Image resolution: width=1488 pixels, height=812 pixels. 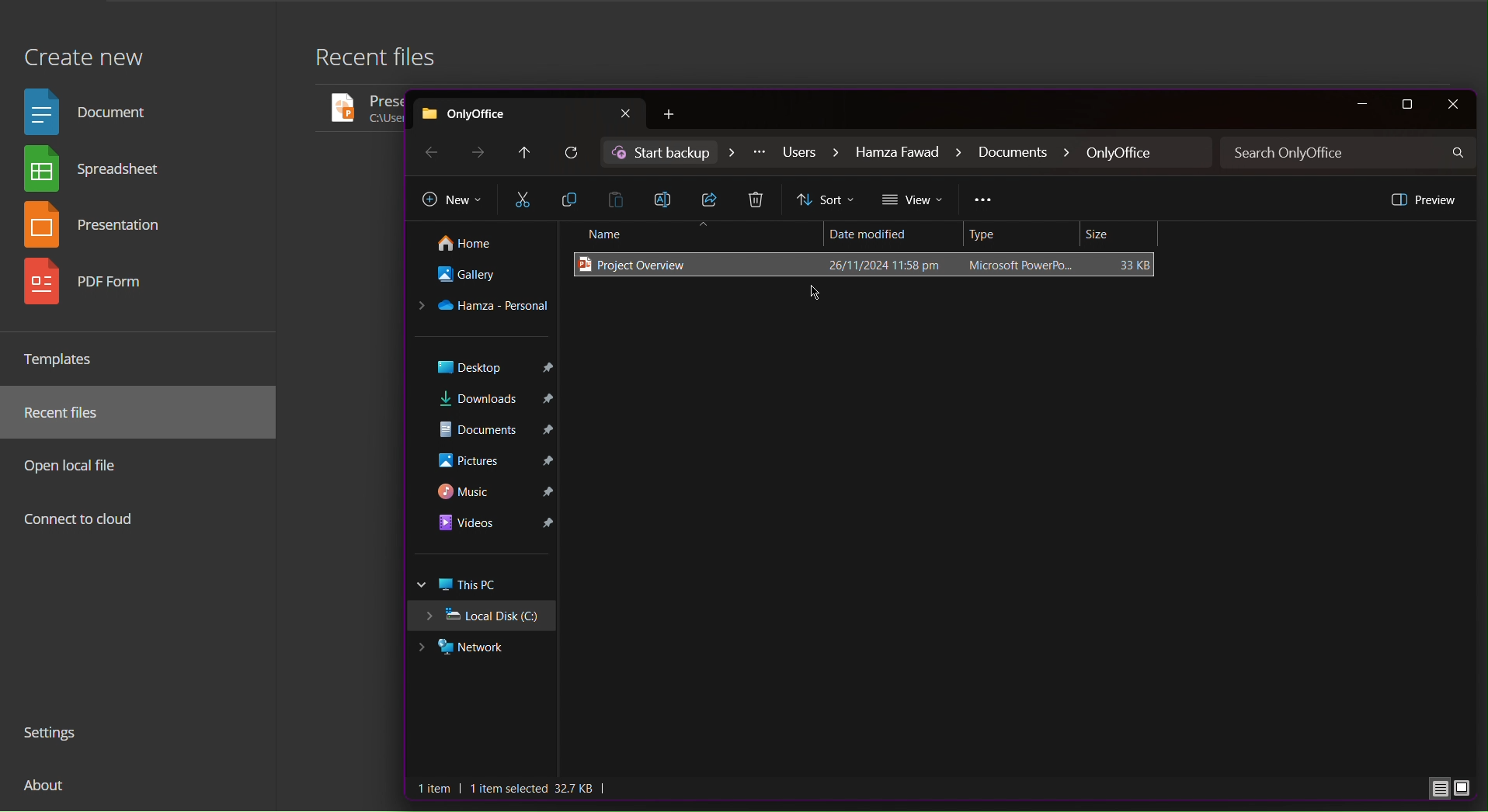 What do you see at coordinates (98, 172) in the screenshot?
I see `Spreadsheet` at bounding box center [98, 172].